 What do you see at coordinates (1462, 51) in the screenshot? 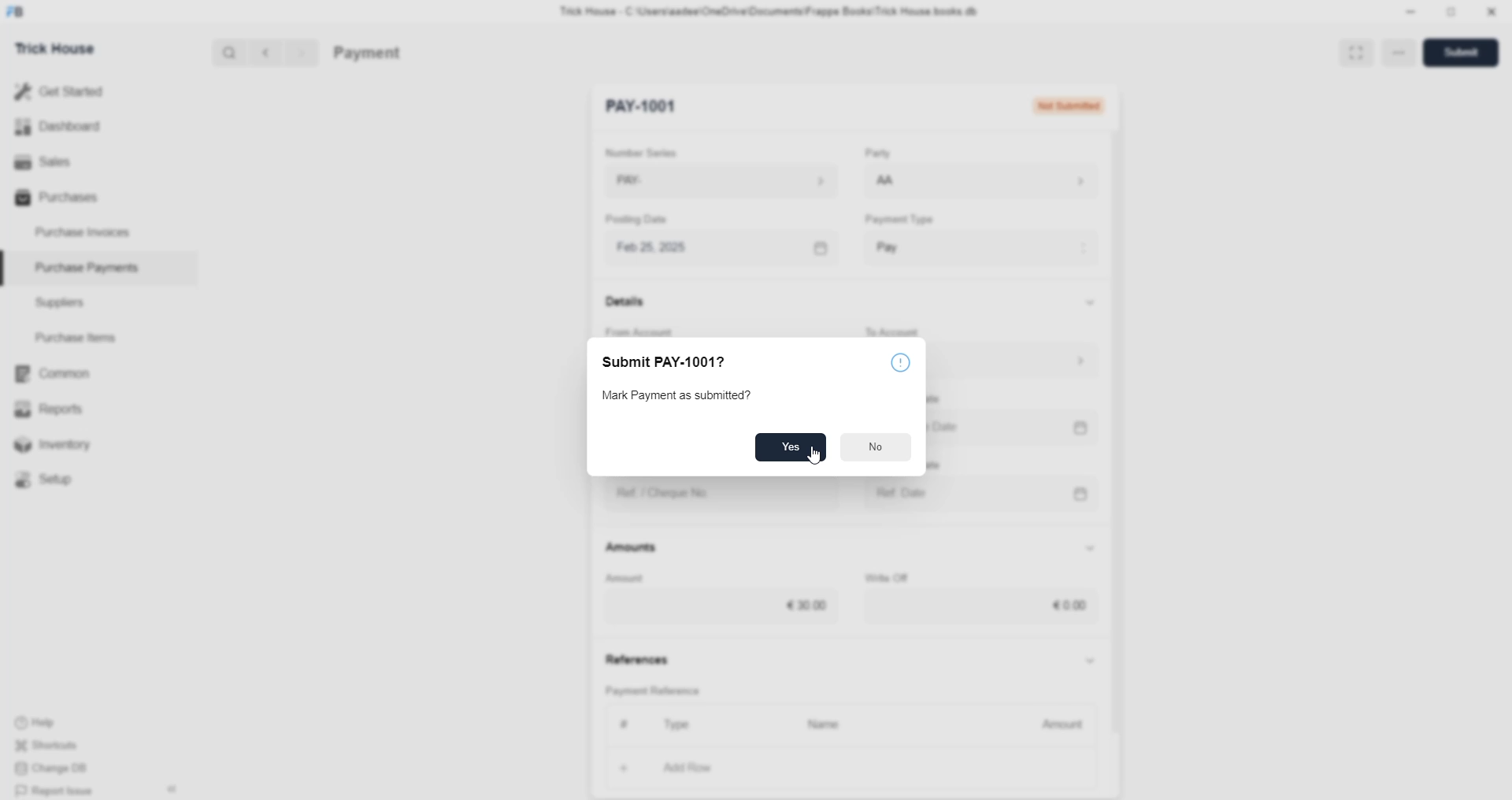
I see `Submit` at bounding box center [1462, 51].